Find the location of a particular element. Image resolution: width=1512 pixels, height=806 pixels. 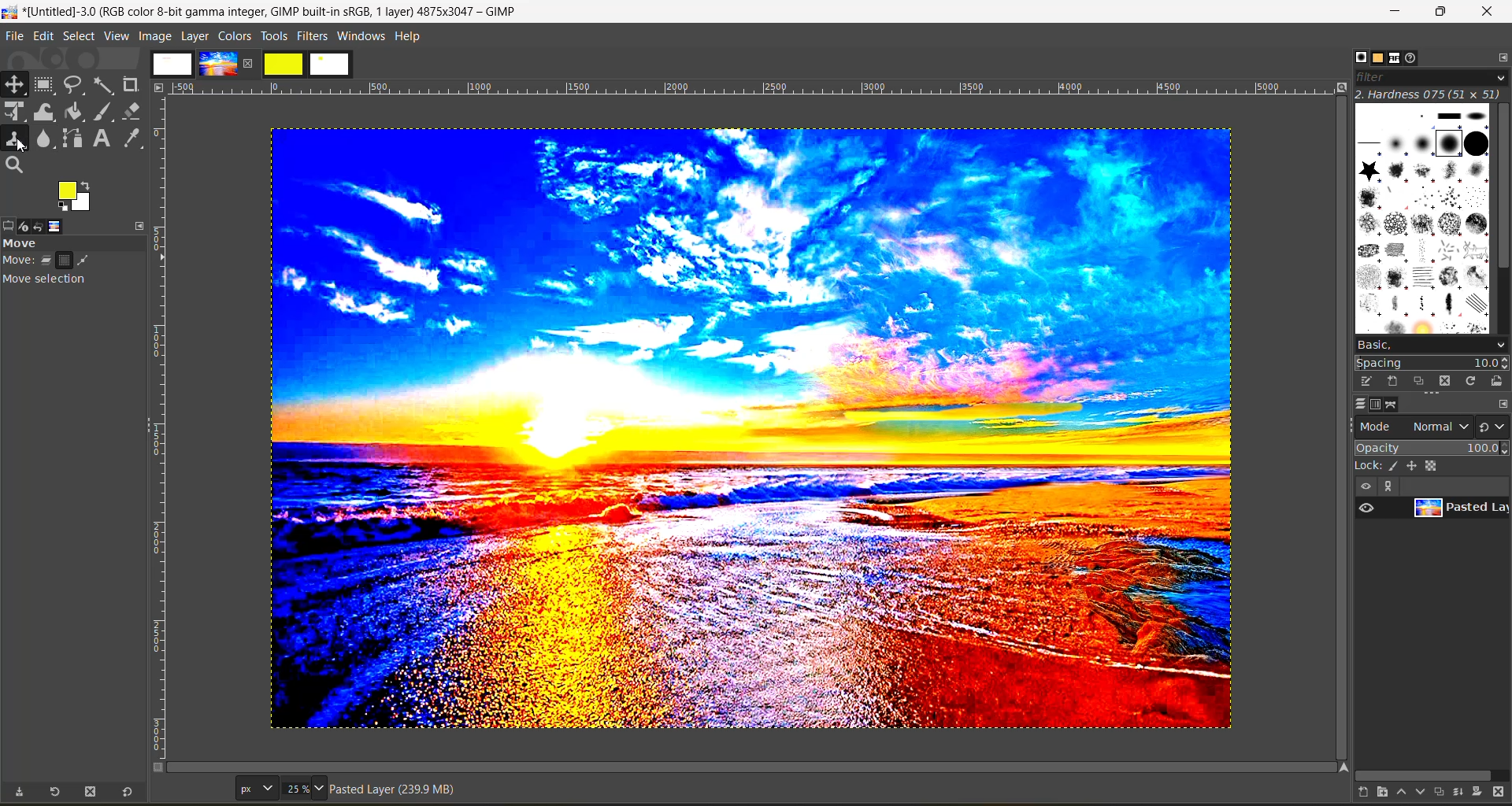

paint bucket  is located at coordinates (79, 113).